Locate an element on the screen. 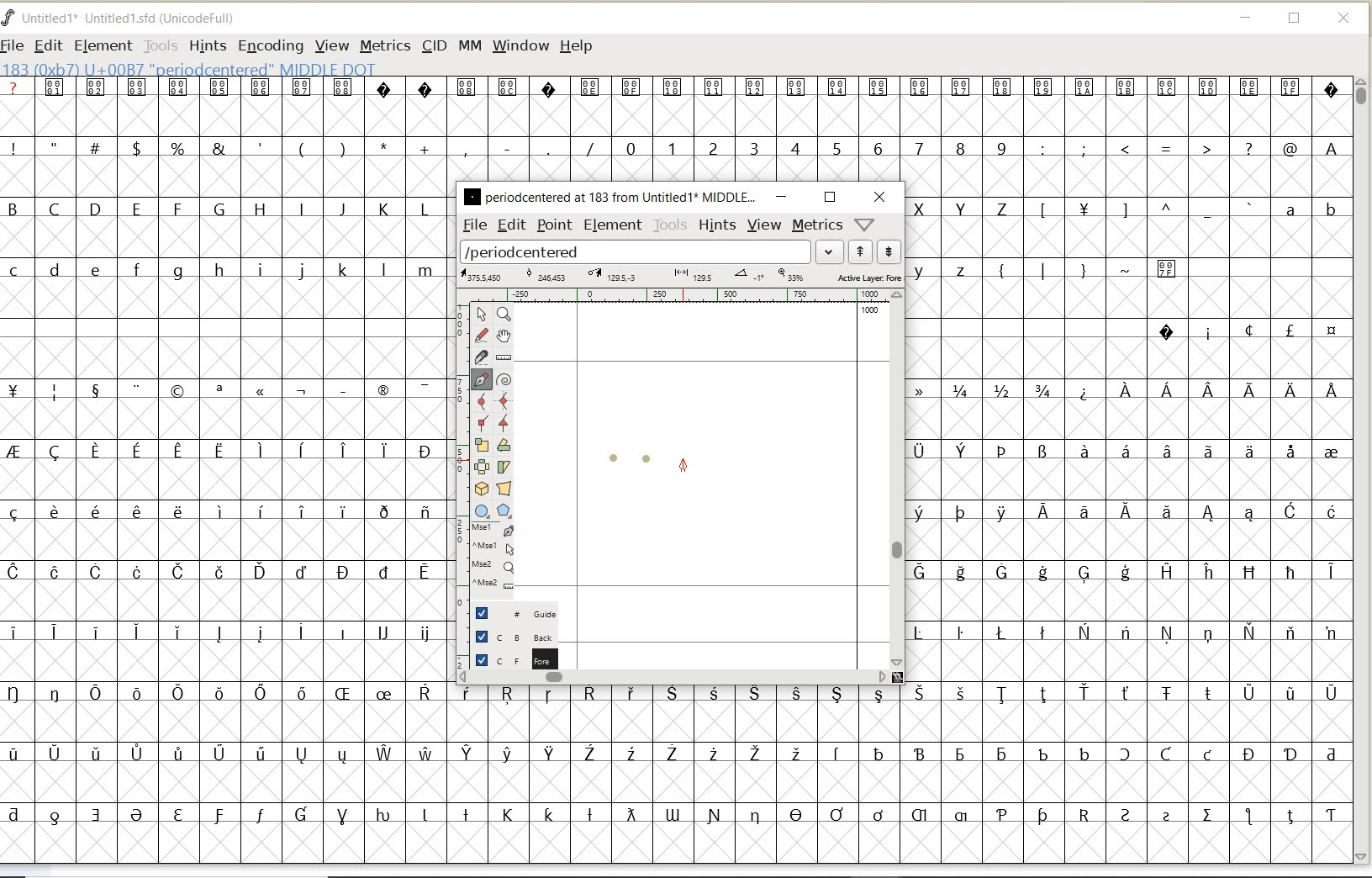 This screenshot has width=1372, height=878. special characters is located at coordinates (219, 601).